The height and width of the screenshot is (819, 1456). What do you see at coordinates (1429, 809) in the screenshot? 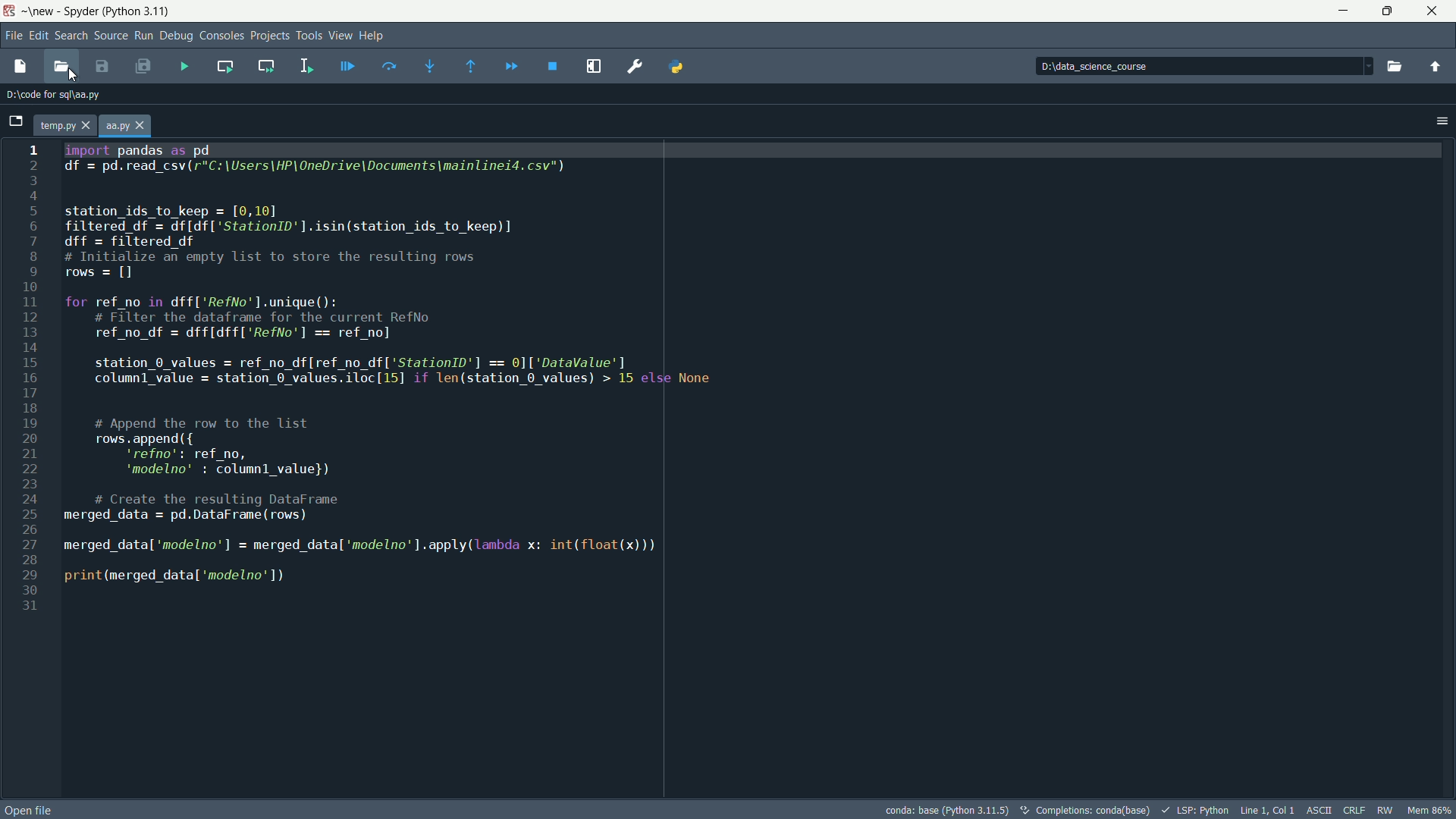
I see `memory usage` at bounding box center [1429, 809].